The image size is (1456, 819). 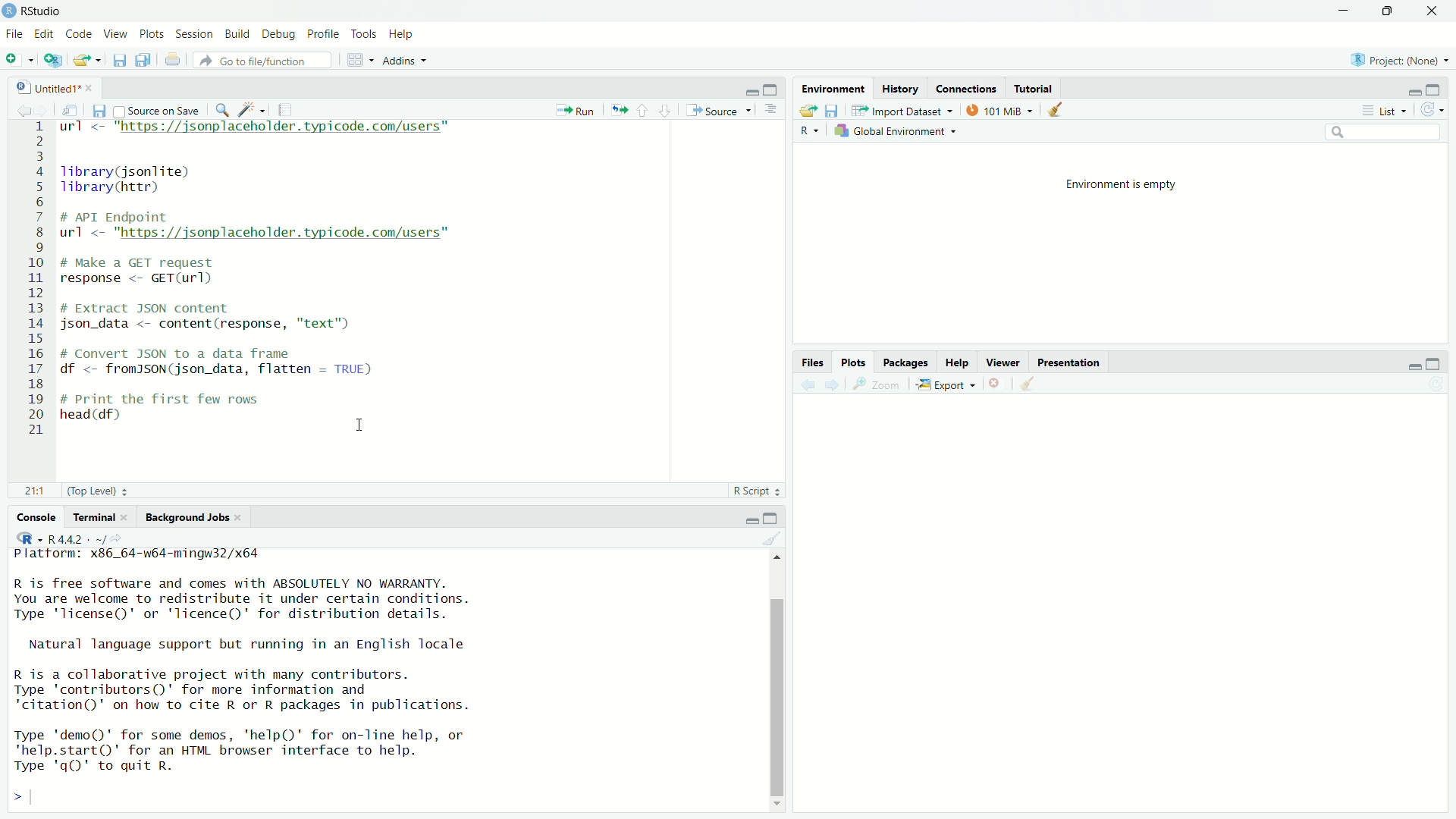 What do you see at coordinates (402, 35) in the screenshot?
I see `Help` at bounding box center [402, 35].